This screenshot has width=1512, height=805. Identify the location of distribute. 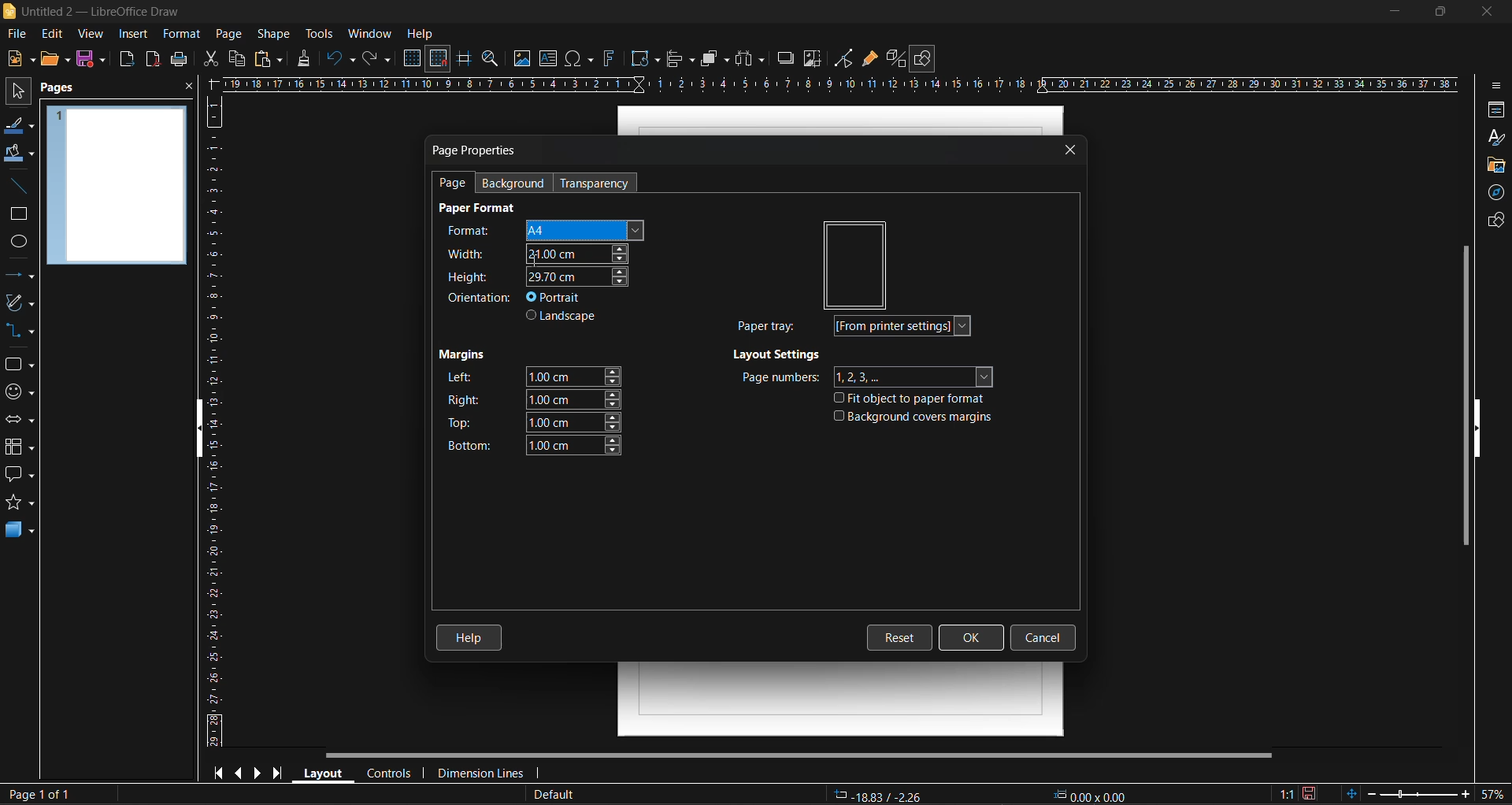
(754, 59).